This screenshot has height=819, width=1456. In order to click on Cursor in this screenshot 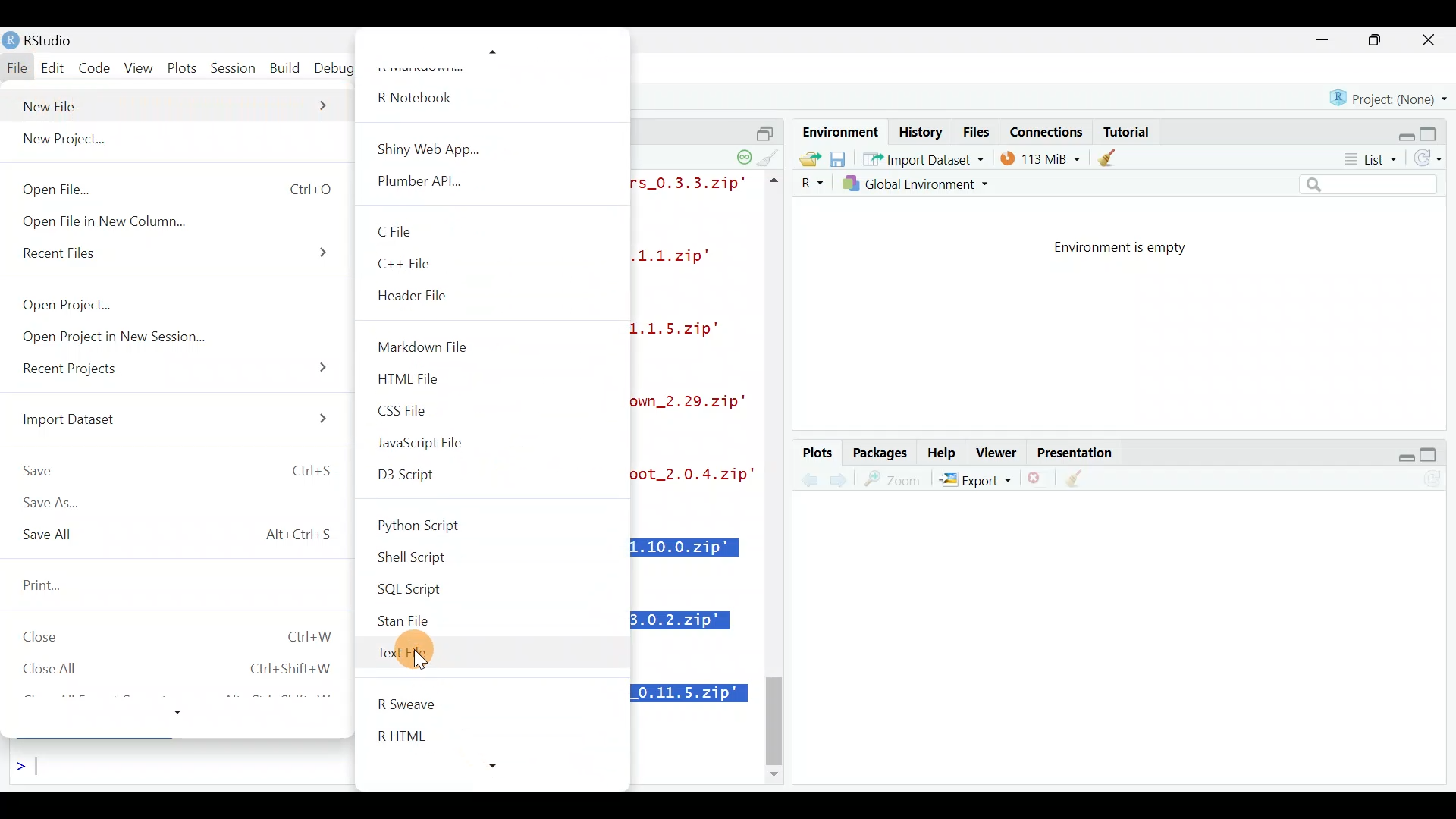, I will do `click(431, 655)`.